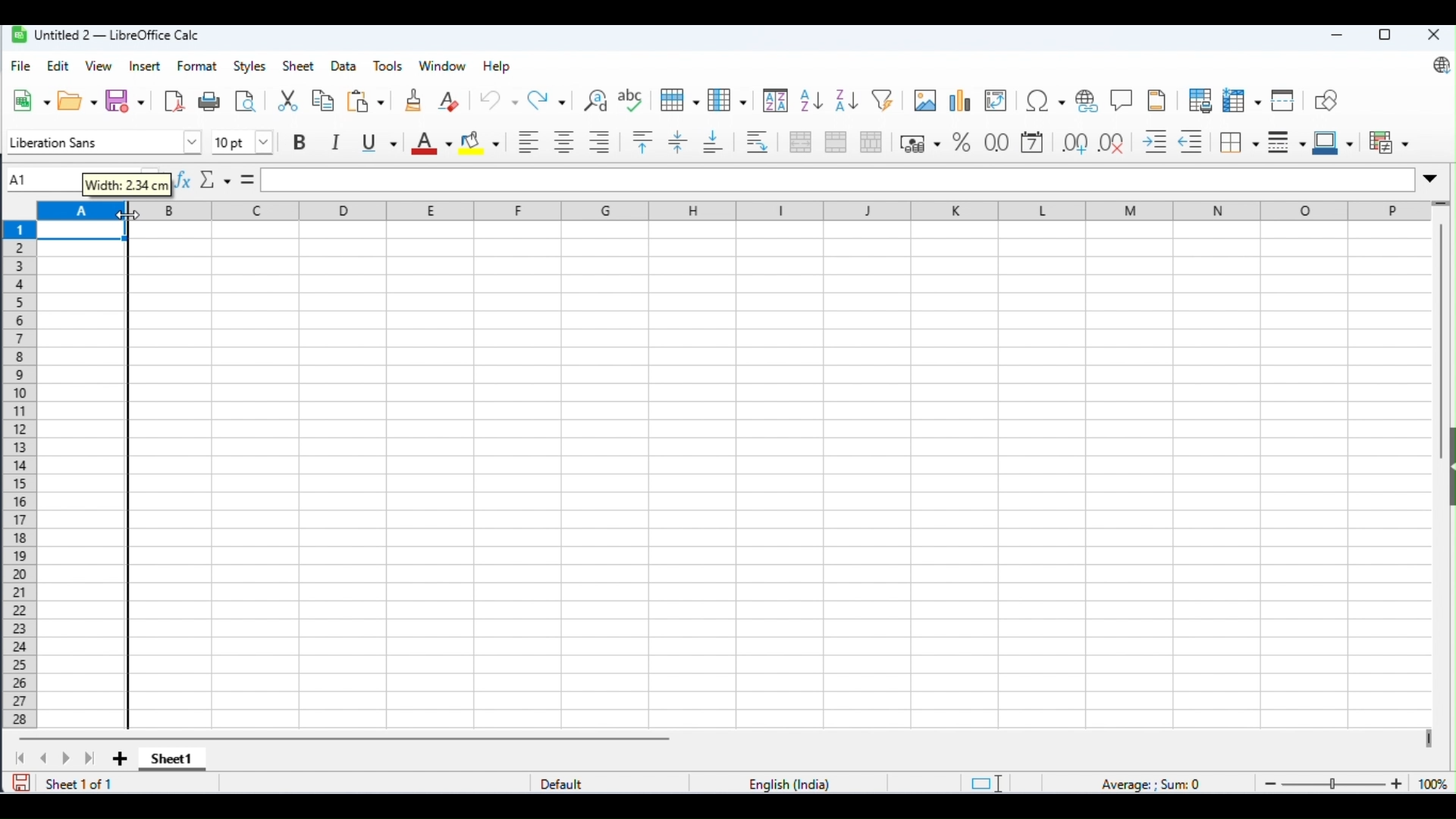 This screenshot has height=819, width=1456. I want to click on spelling, so click(632, 100).